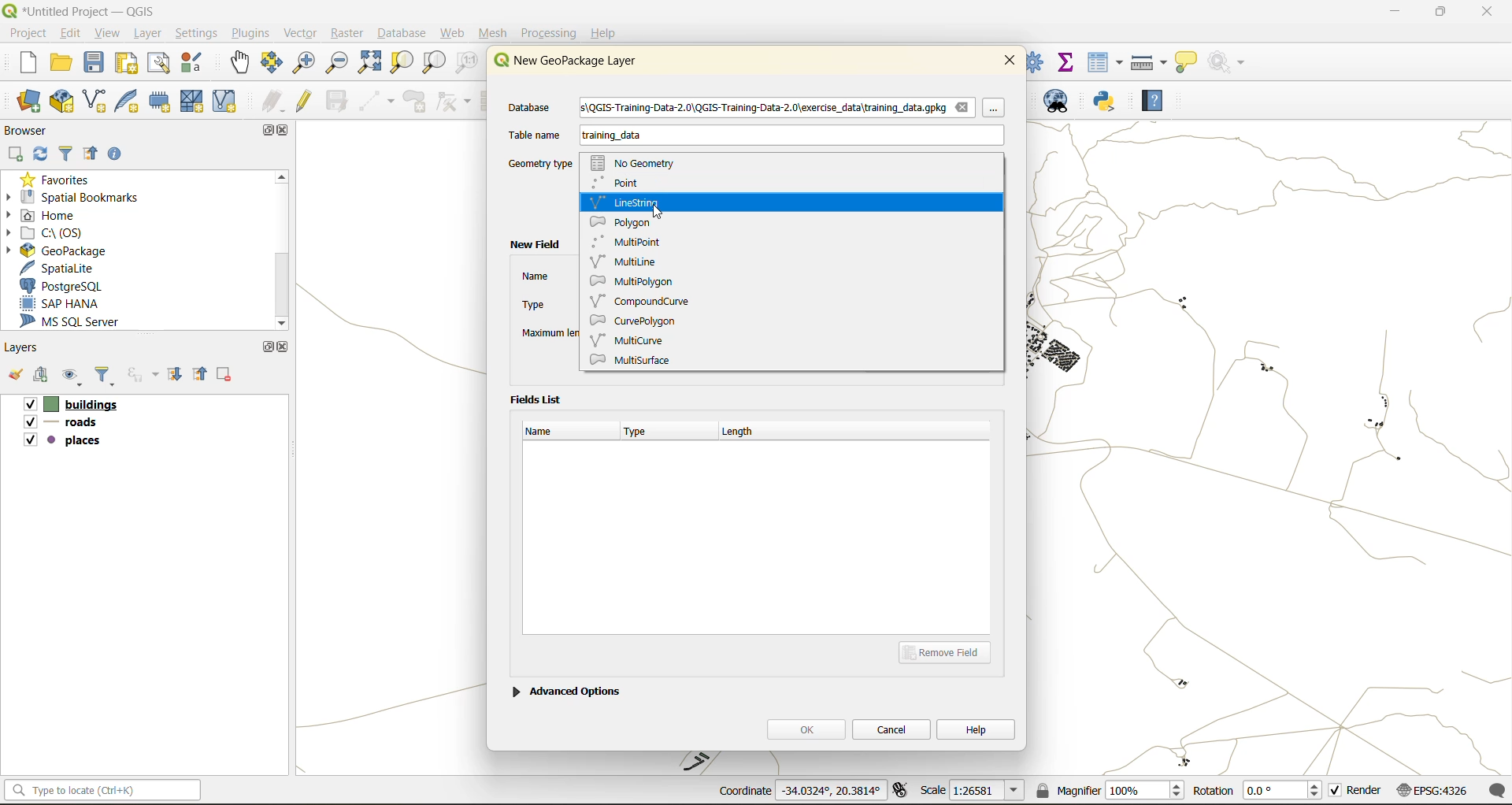  What do you see at coordinates (66, 155) in the screenshot?
I see `filter` at bounding box center [66, 155].